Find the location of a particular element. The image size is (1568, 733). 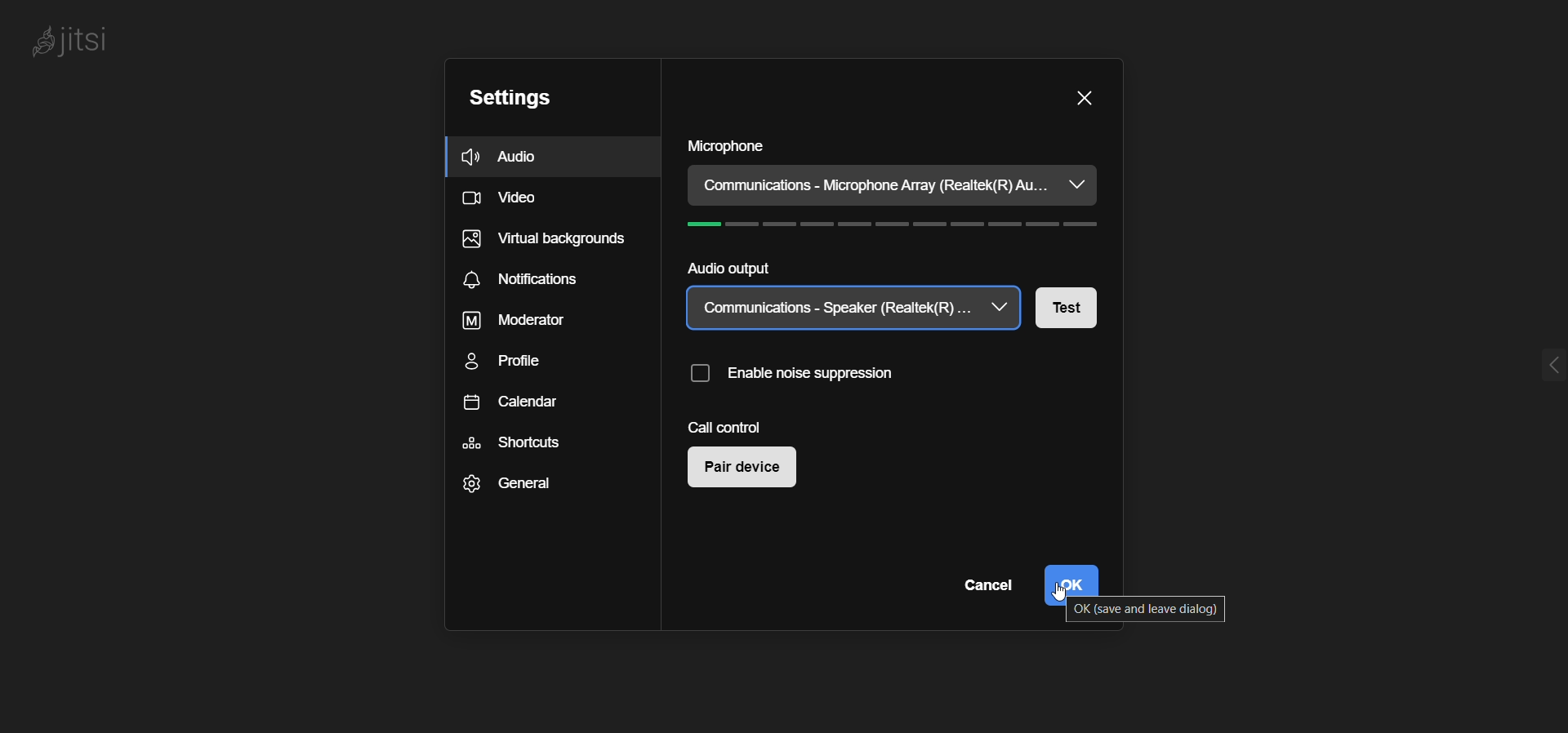

microphone is located at coordinates (726, 147).